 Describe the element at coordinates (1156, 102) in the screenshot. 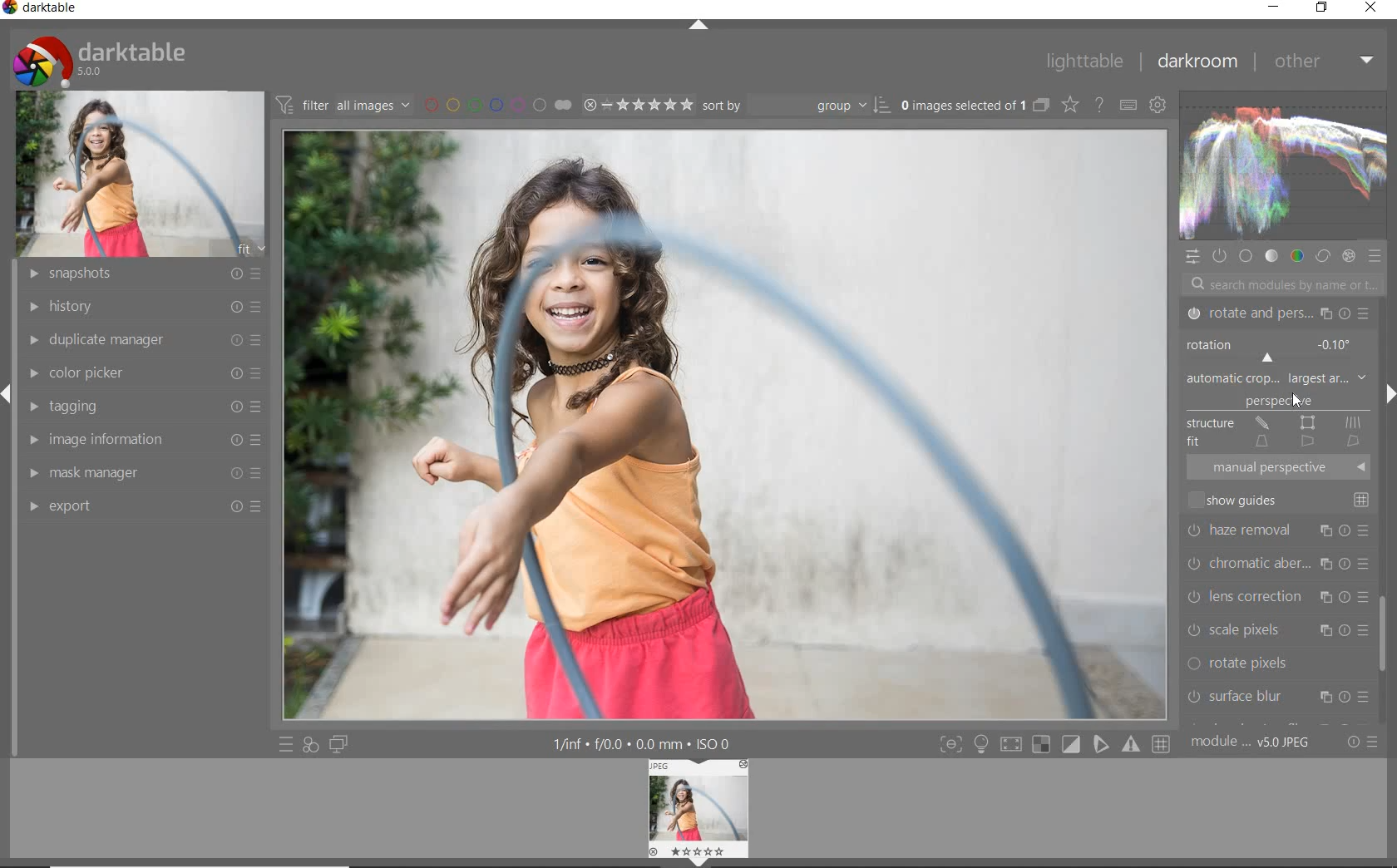

I see `show global preference` at that location.